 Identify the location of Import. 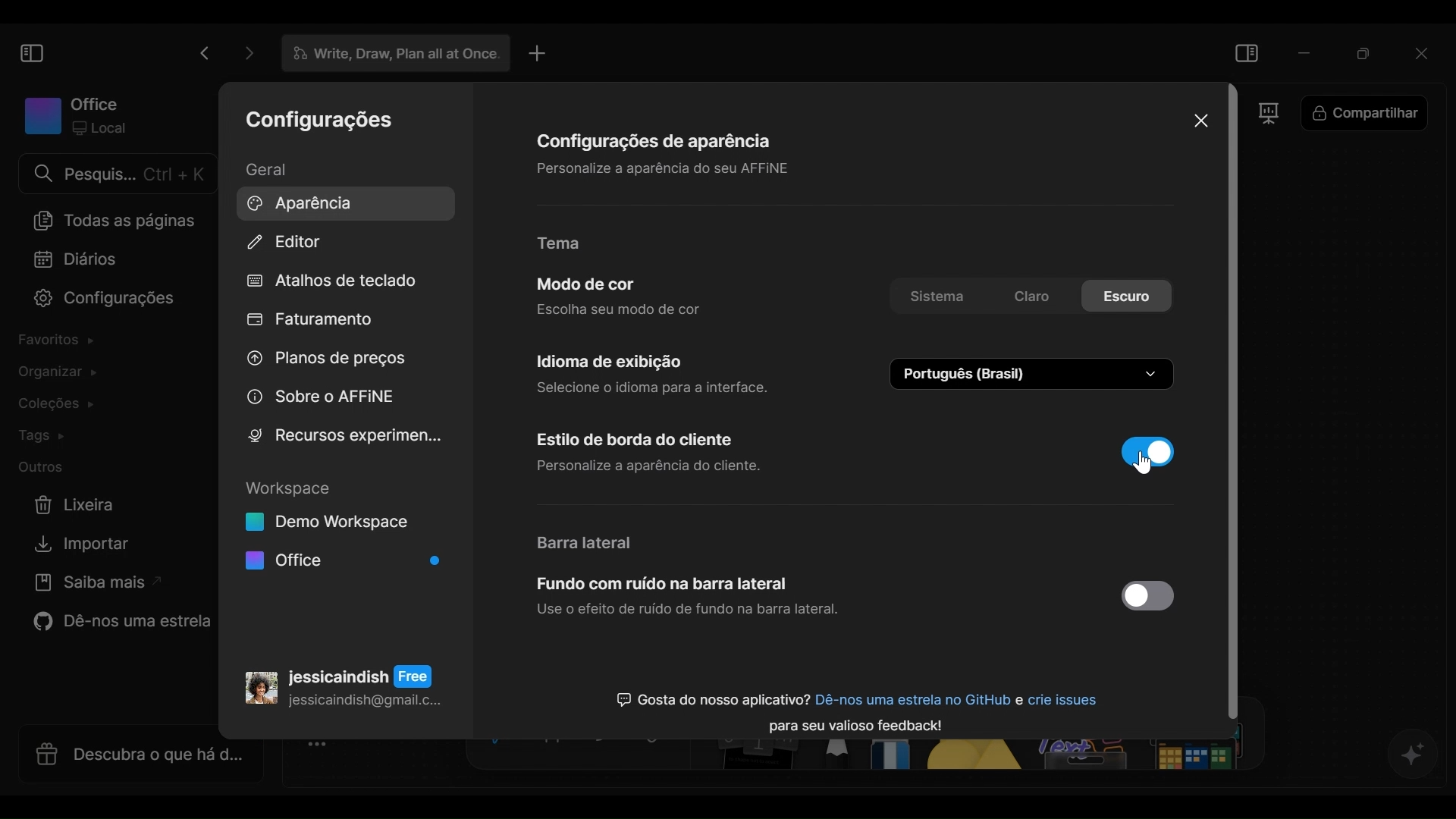
(77, 544).